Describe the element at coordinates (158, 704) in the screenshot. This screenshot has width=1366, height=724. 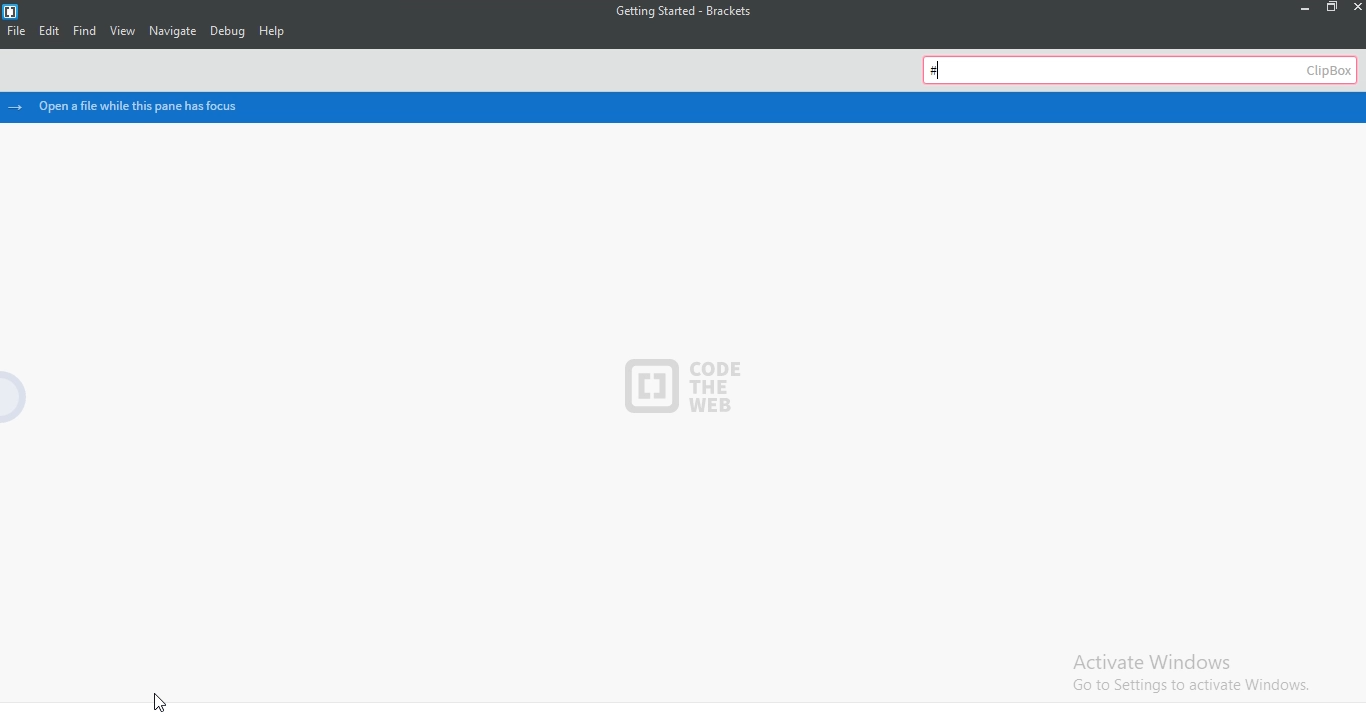
I see `cursor` at that location.